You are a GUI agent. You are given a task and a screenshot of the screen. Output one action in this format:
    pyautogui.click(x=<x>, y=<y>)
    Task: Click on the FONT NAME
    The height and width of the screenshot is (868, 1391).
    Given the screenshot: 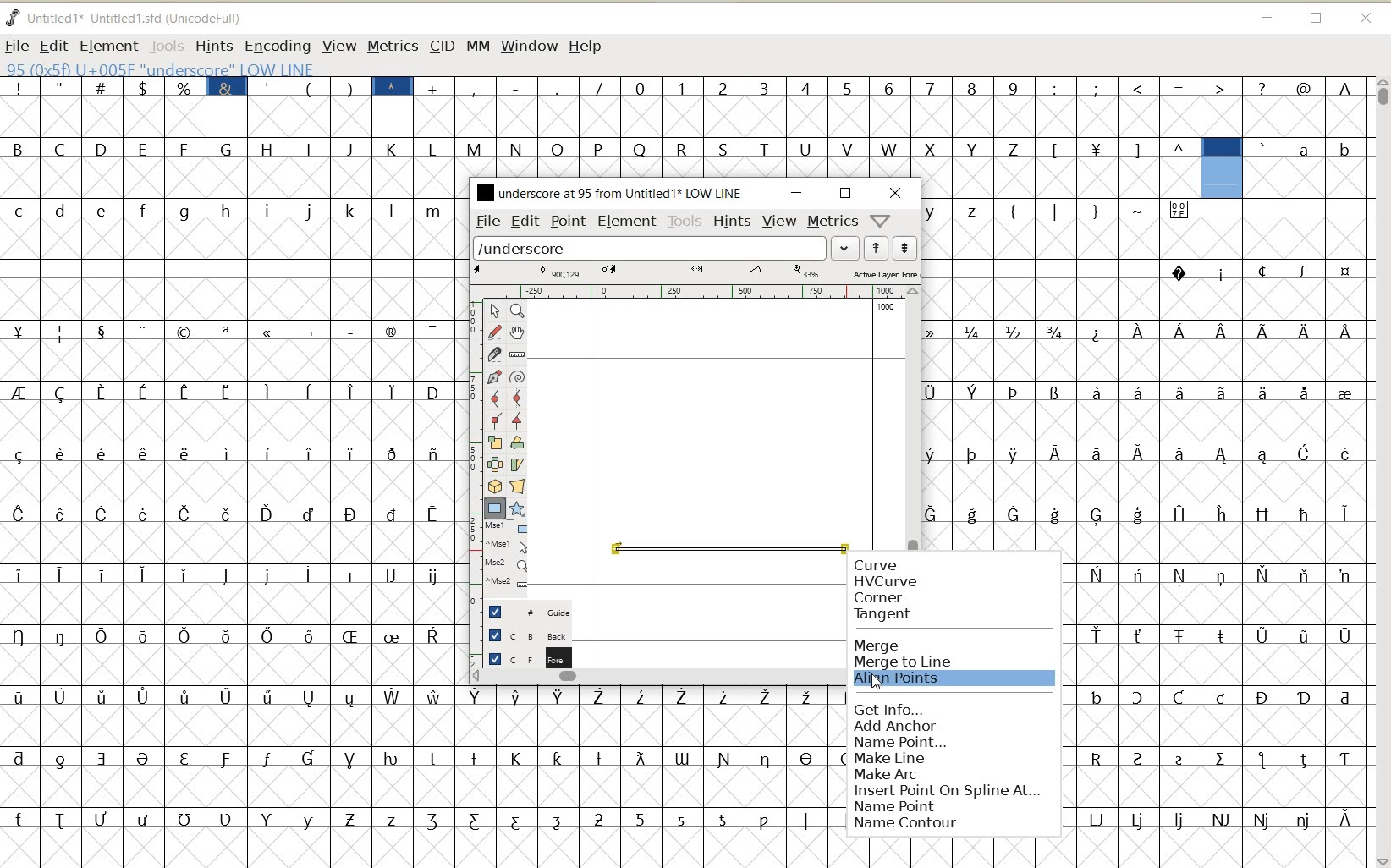 What is the action you would take?
    pyautogui.click(x=138, y=18)
    